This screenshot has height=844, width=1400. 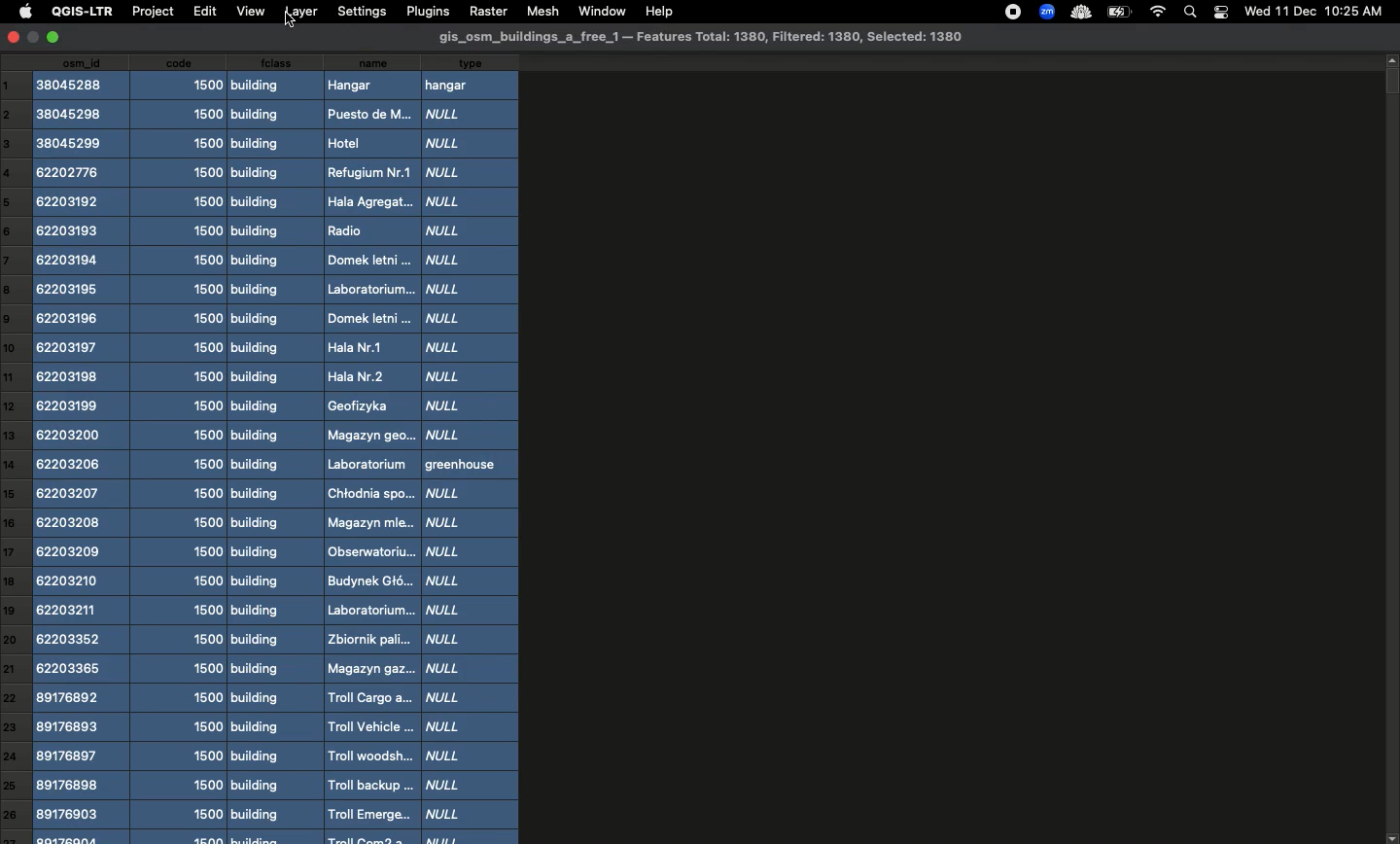 What do you see at coordinates (56, 38) in the screenshot?
I see `Maximize` at bounding box center [56, 38].